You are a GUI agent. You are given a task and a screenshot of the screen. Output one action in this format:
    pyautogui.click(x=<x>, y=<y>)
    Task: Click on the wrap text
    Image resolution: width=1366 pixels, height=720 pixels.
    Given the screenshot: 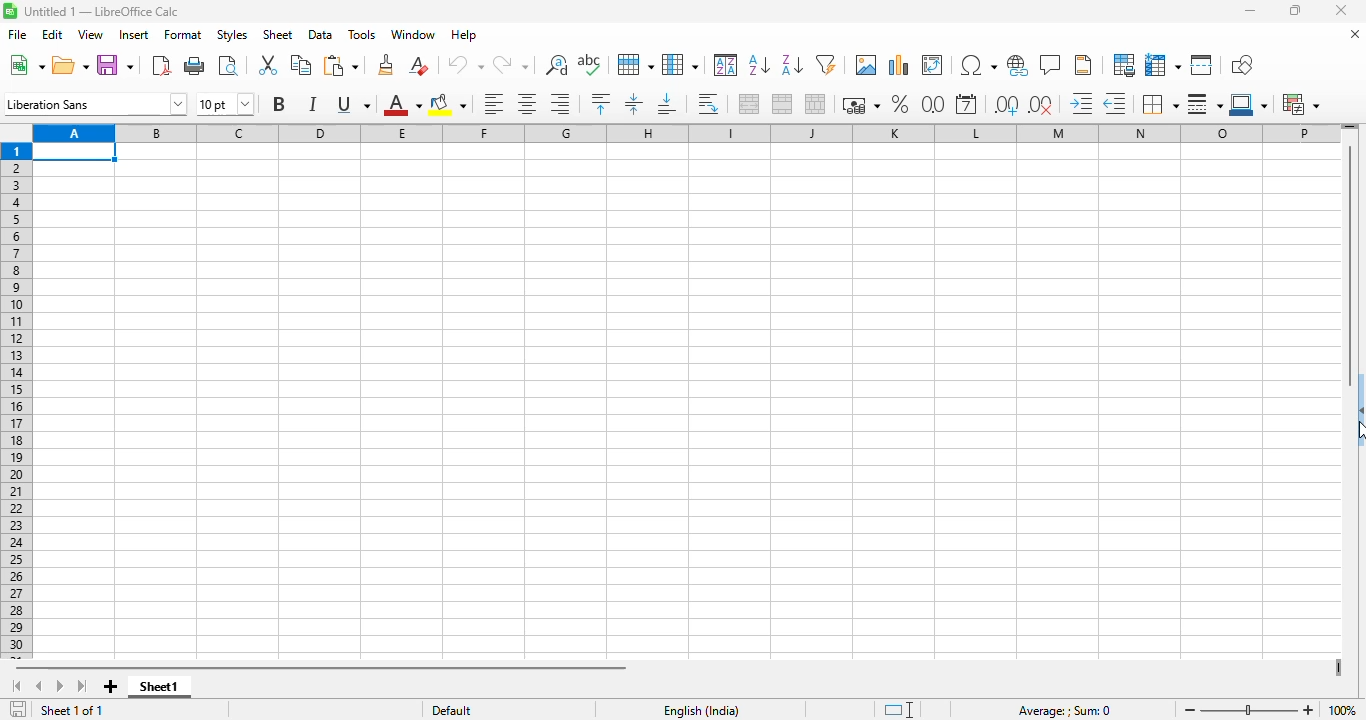 What is the action you would take?
    pyautogui.click(x=707, y=104)
    